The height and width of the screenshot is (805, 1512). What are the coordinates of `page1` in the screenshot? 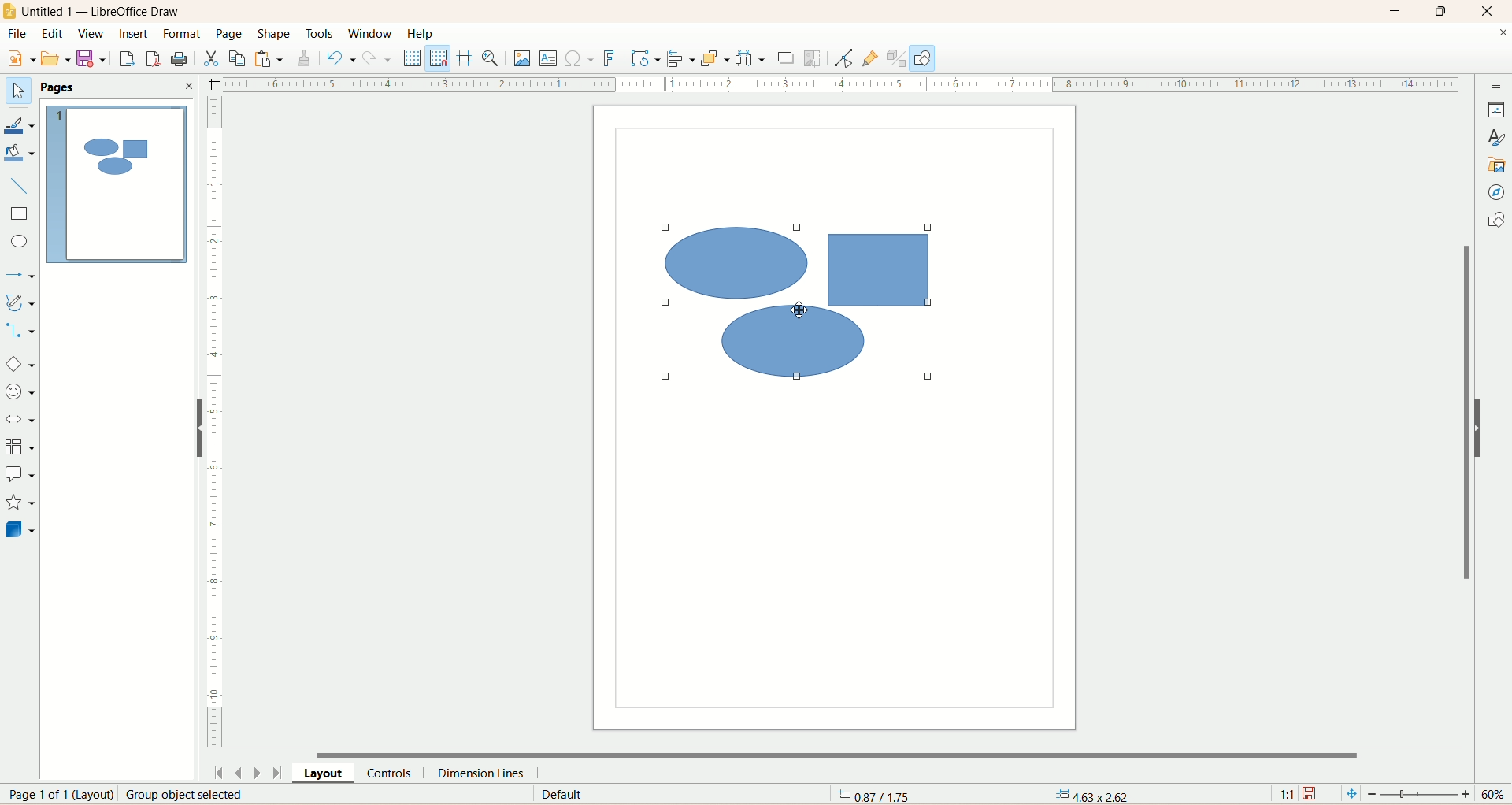 It's located at (114, 183).